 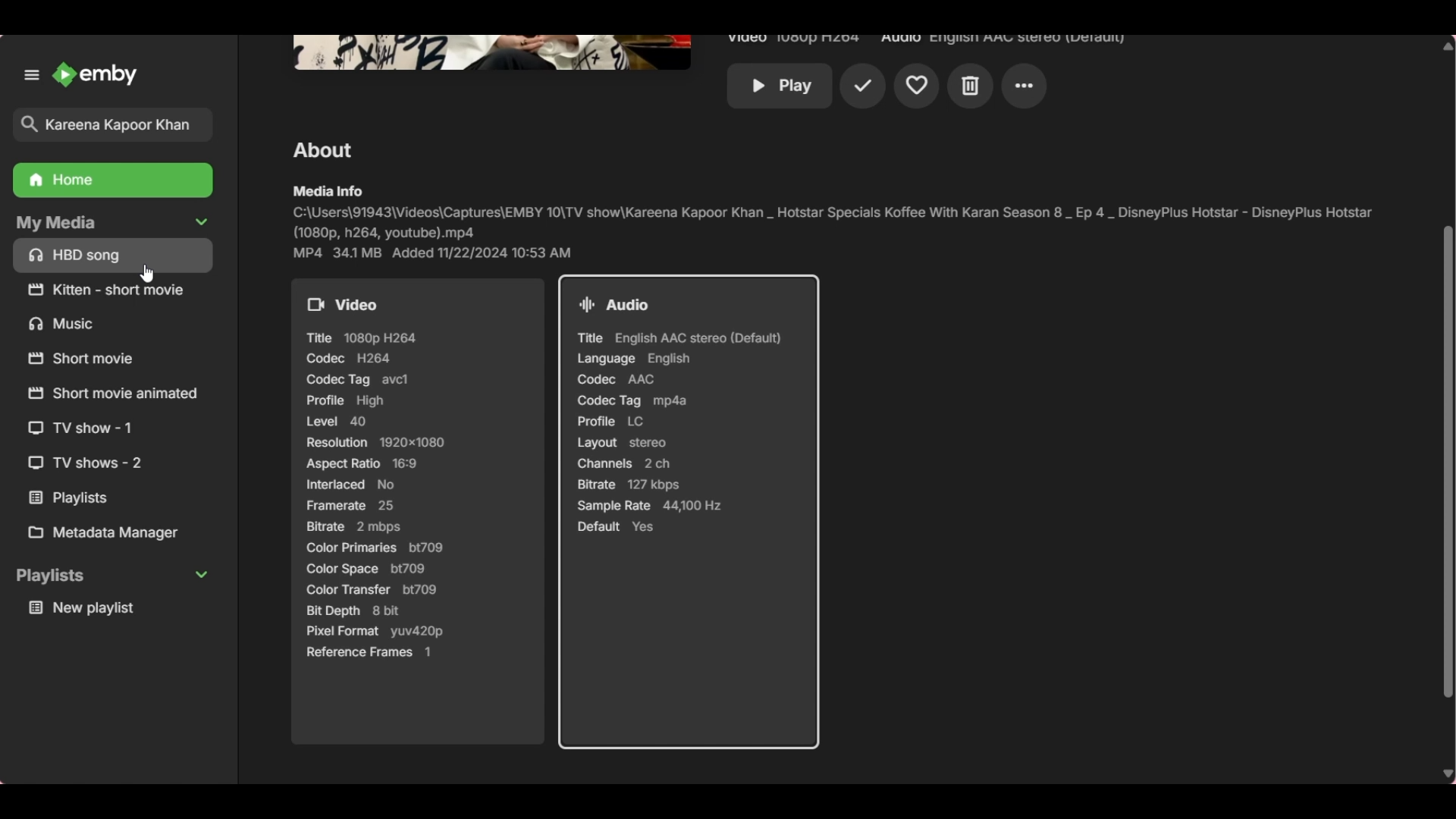 I want to click on Collapse Playlists, so click(x=111, y=576).